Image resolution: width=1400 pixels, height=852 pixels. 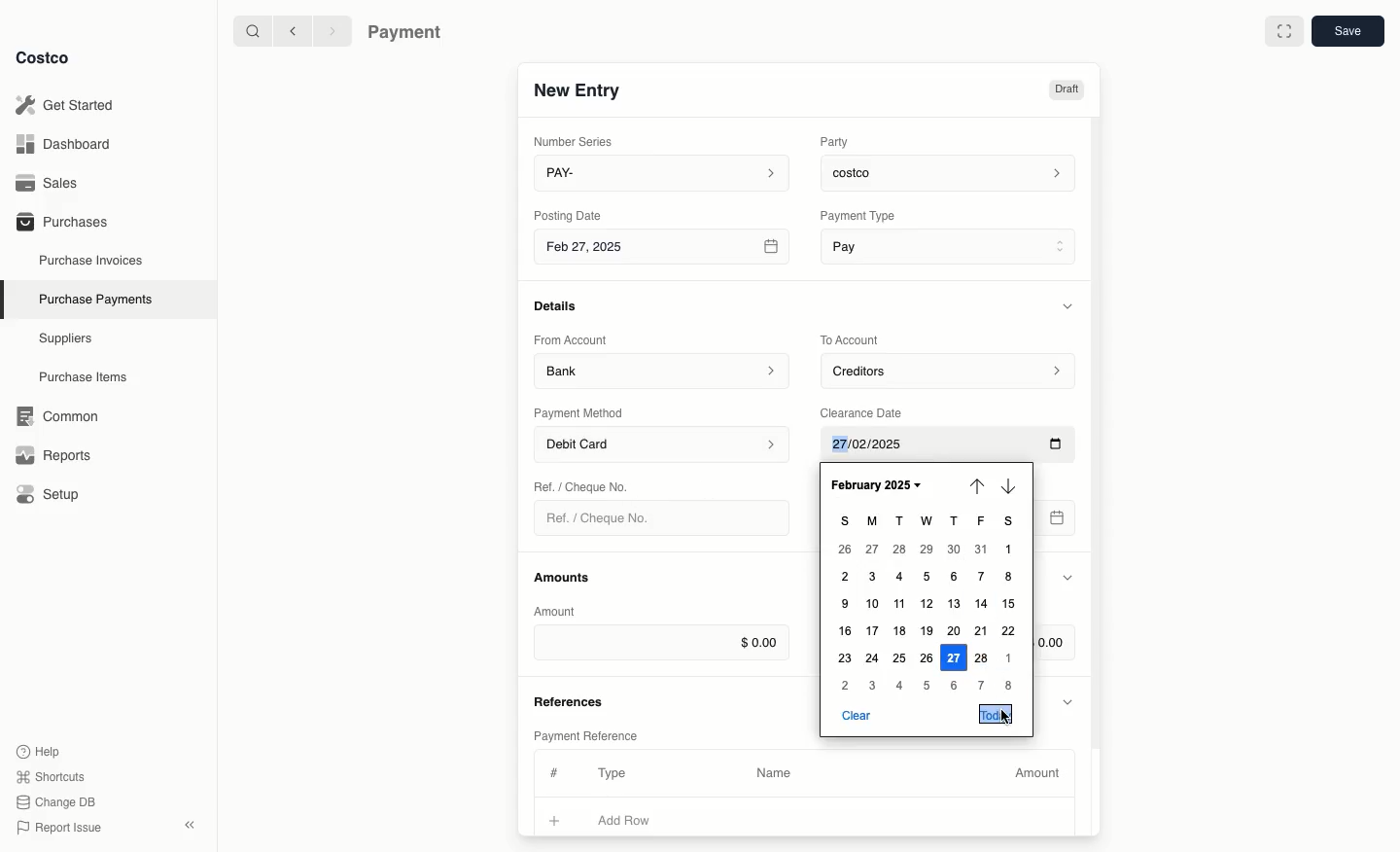 What do you see at coordinates (857, 215) in the screenshot?
I see `‘Payment Type` at bounding box center [857, 215].